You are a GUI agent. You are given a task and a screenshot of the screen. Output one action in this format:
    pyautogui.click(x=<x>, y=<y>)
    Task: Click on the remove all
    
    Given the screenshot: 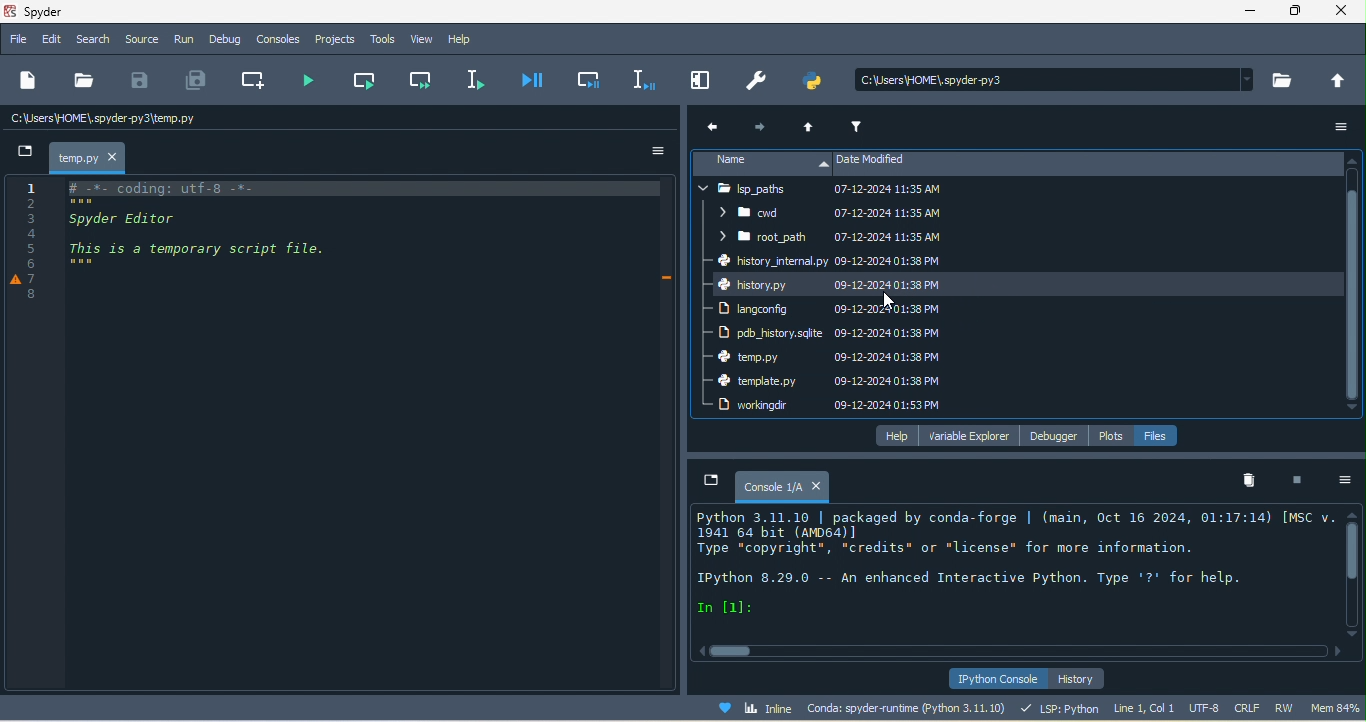 What is the action you would take?
    pyautogui.click(x=1252, y=481)
    